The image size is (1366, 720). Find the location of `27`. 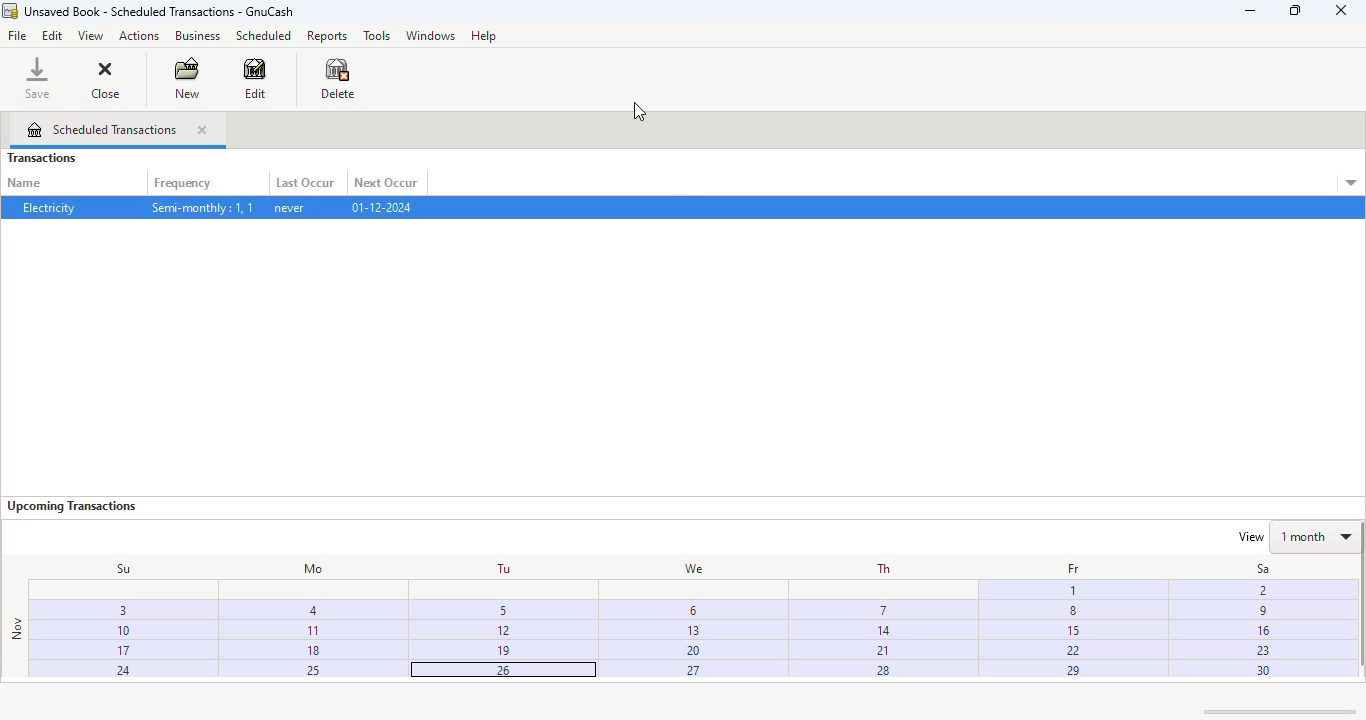

27 is located at coordinates (693, 672).